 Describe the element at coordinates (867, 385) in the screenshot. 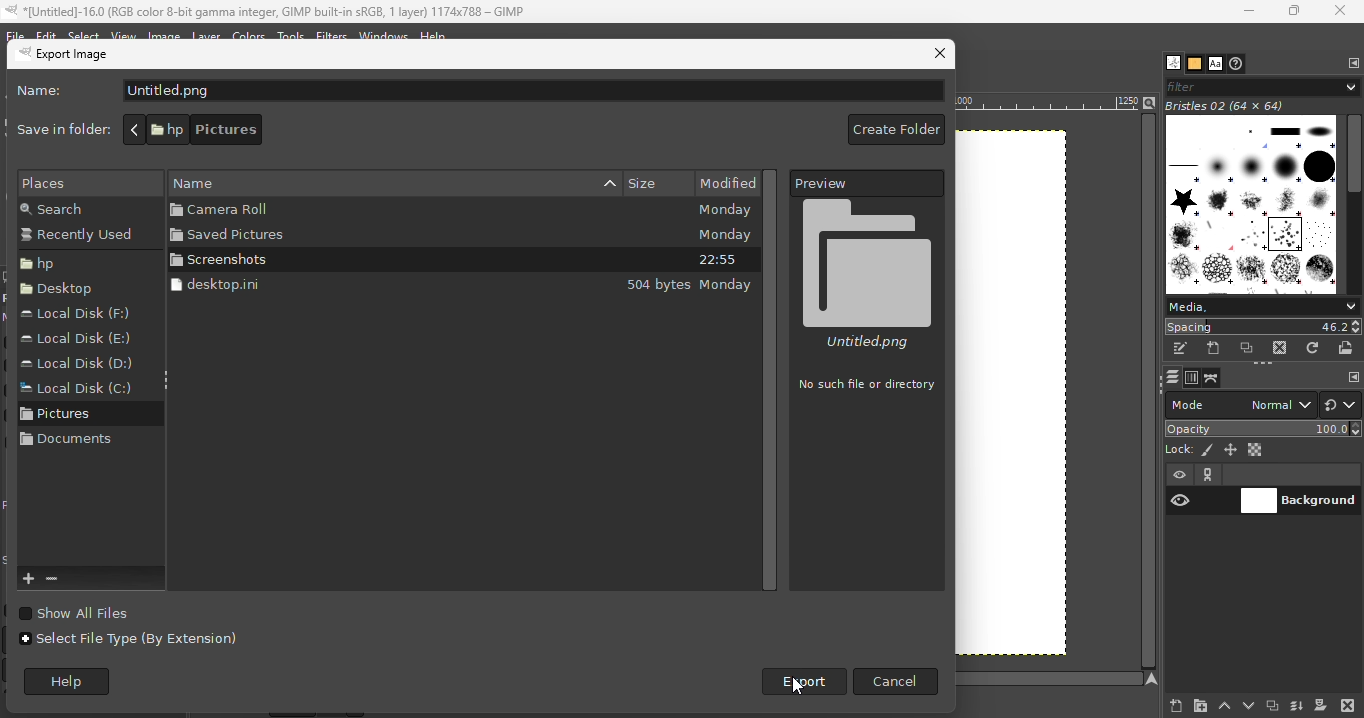

I see `No such file or directory` at that location.